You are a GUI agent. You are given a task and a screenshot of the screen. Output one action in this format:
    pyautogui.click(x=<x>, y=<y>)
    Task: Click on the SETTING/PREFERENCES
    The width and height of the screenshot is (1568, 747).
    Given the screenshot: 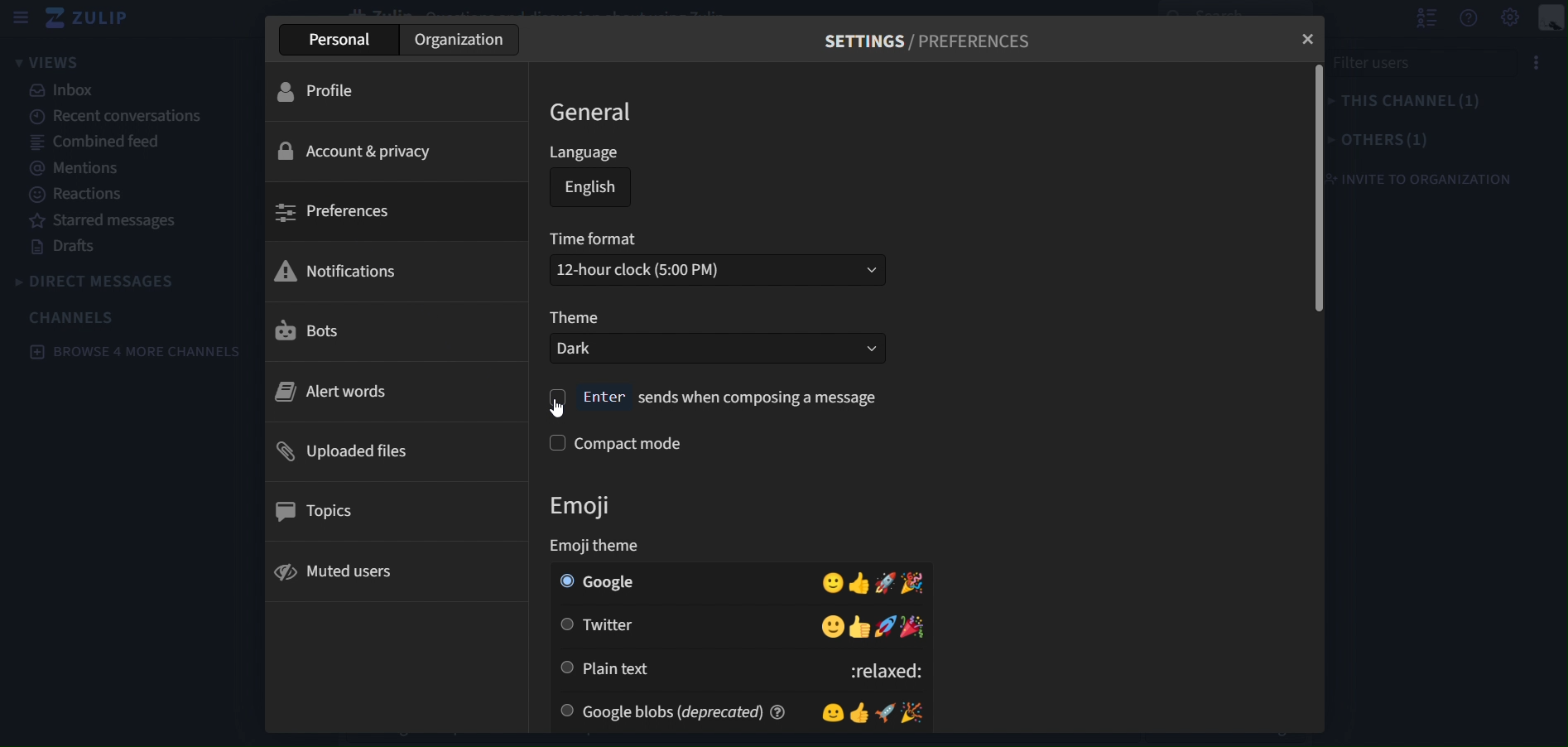 What is the action you would take?
    pyautogui.click(x=928, y=46)
    